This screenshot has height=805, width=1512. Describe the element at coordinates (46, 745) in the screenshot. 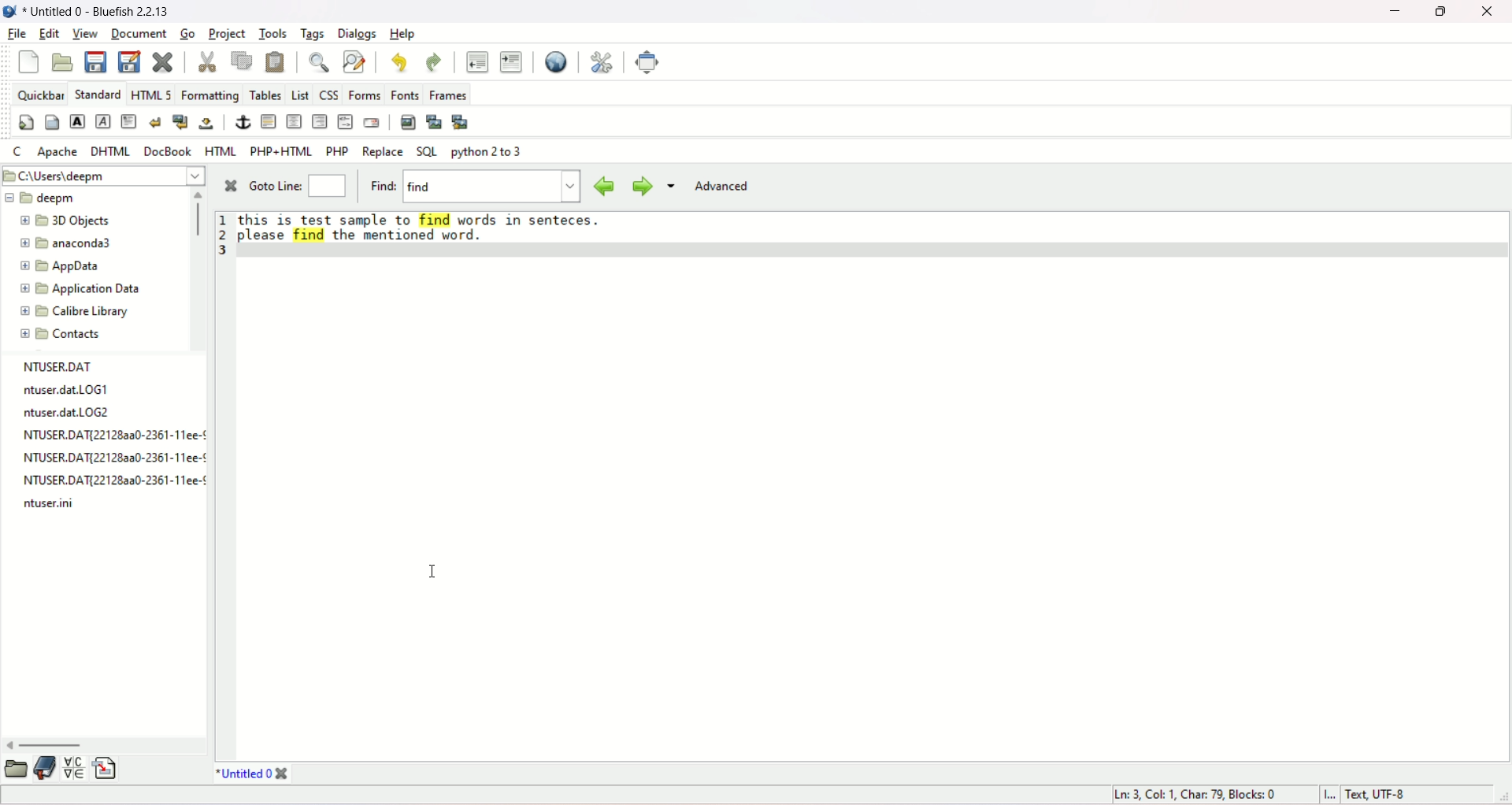

I see `horizontal scroll bar` at that location.